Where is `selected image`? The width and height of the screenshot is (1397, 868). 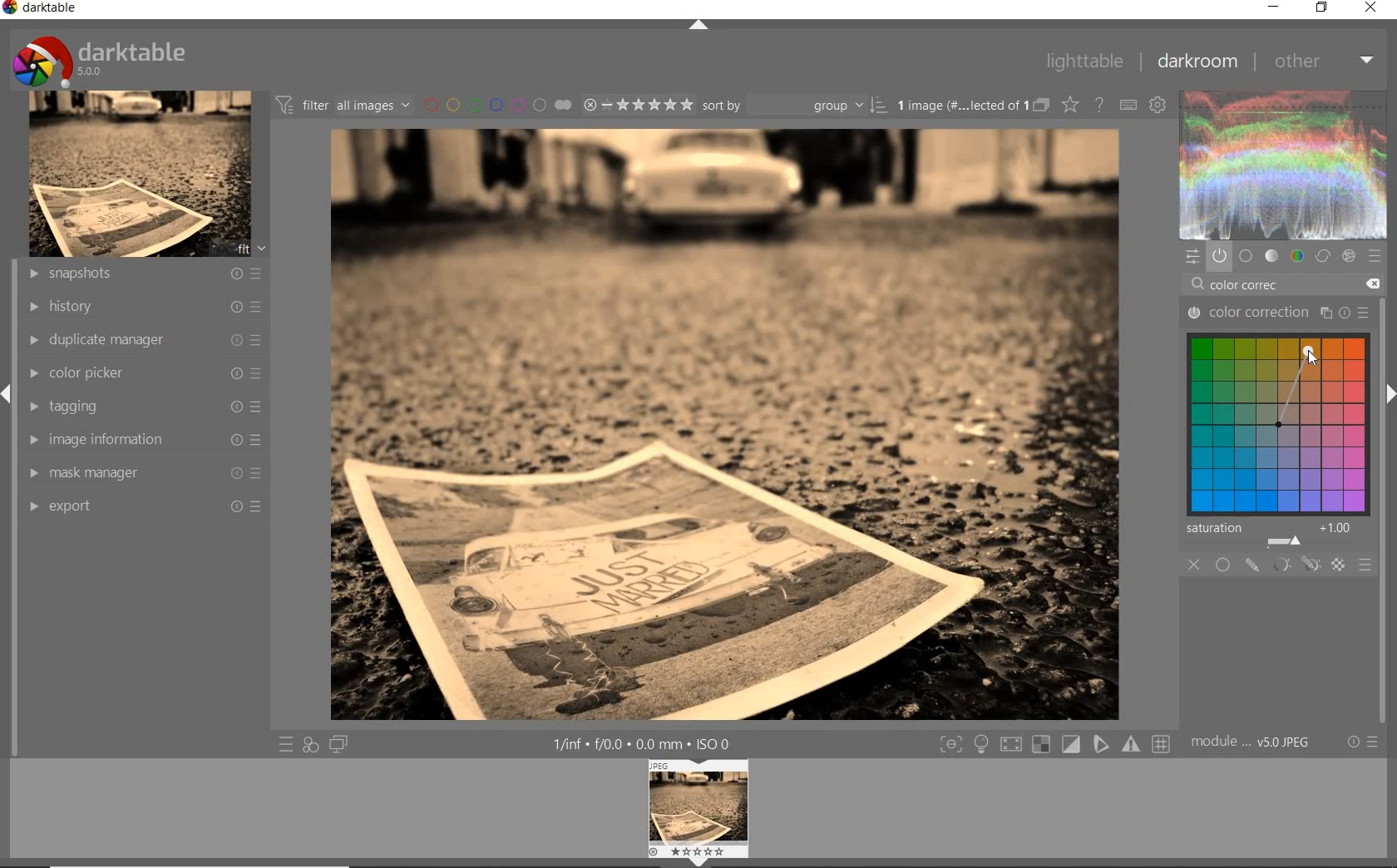
selected image is located at coordinates (723, 424).